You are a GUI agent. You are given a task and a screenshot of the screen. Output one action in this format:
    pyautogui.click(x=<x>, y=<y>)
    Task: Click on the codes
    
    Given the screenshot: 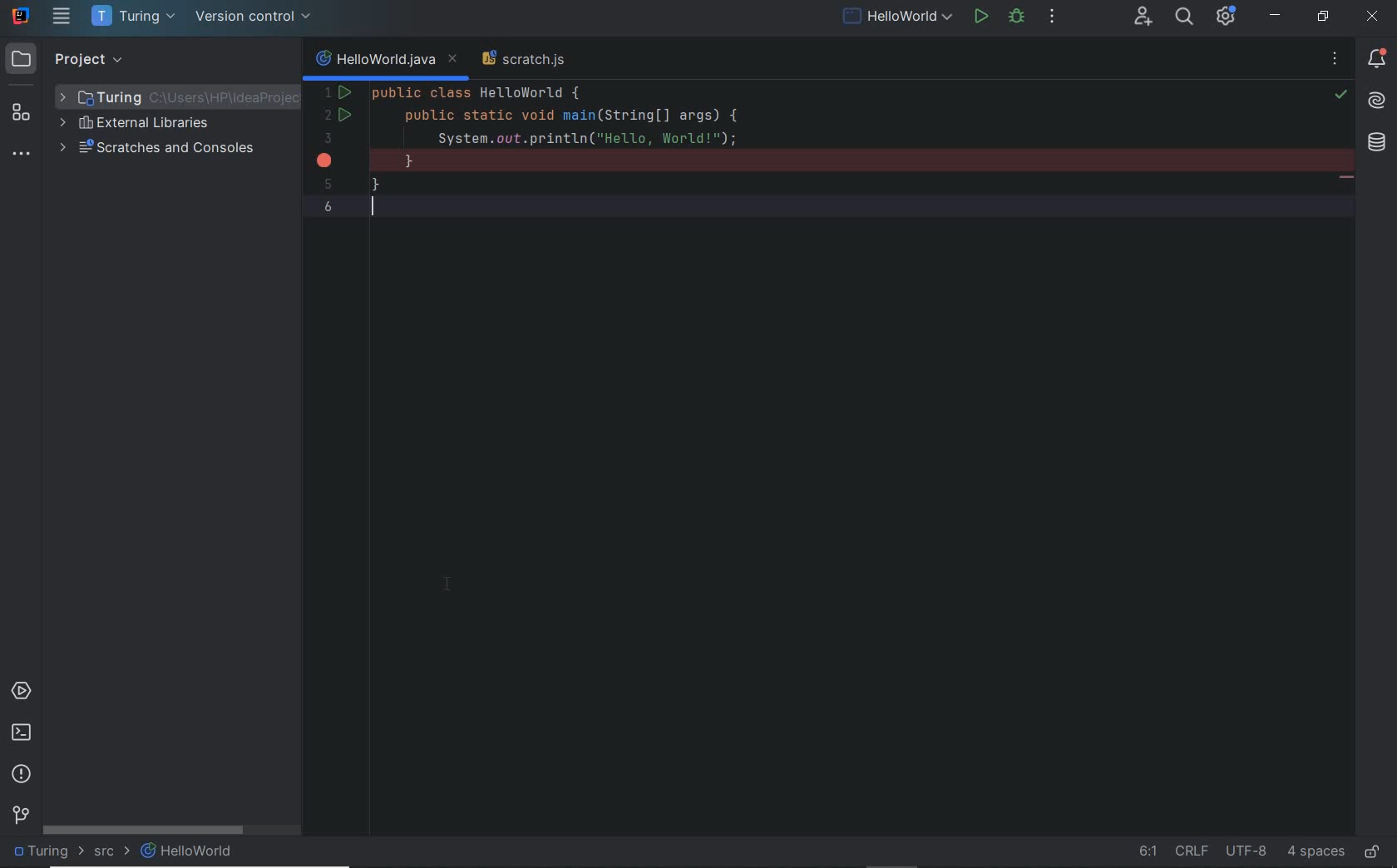 What is the action you would take?
    pyautogui.click(x=787, y=152)
    